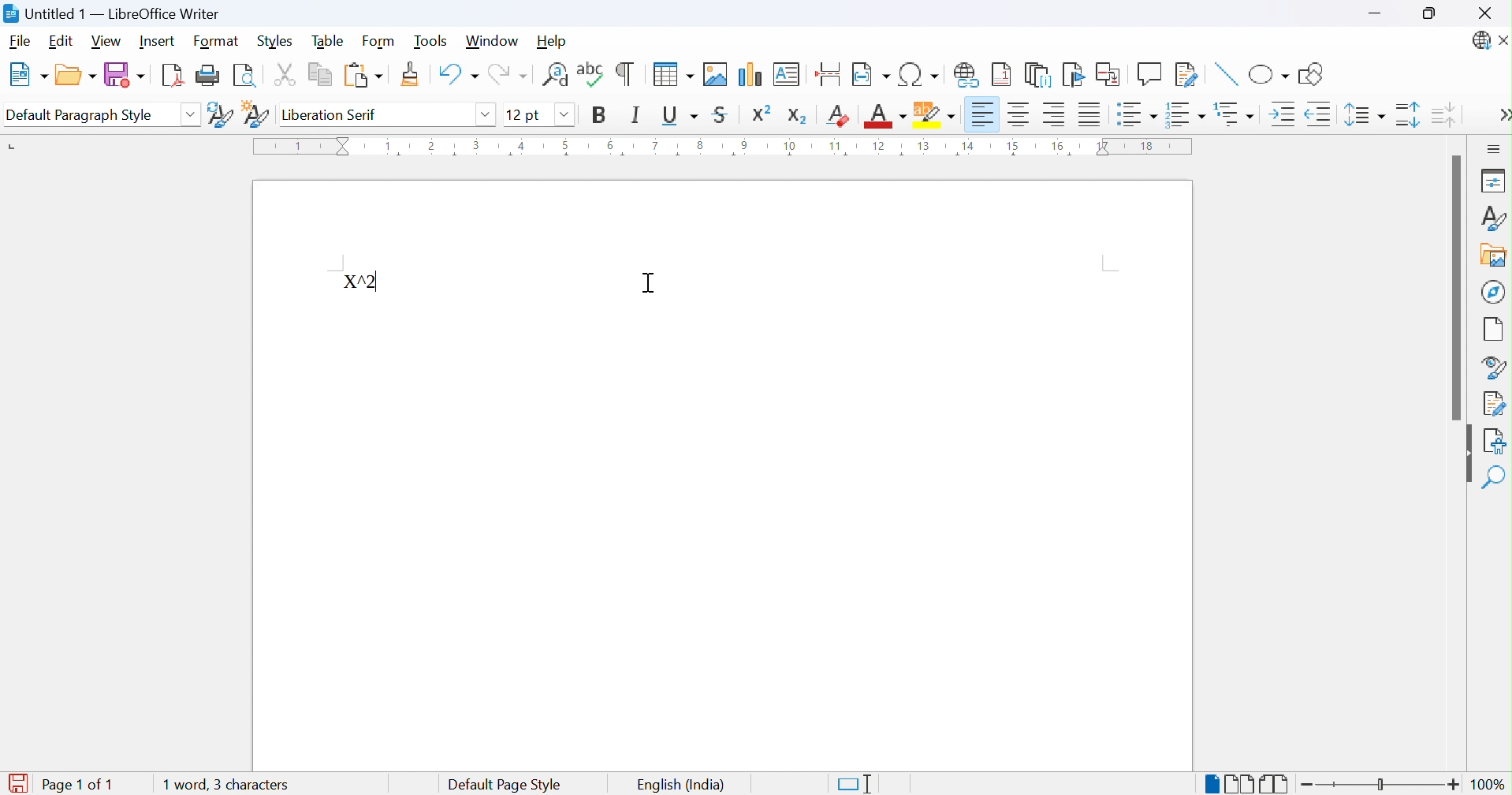 The height and width of the screenshot is (795, 1512). What do you see at coordinates (1241, 783) in the screenshot?
I see `Multiple-page view` at bounding box center [1241, 783].